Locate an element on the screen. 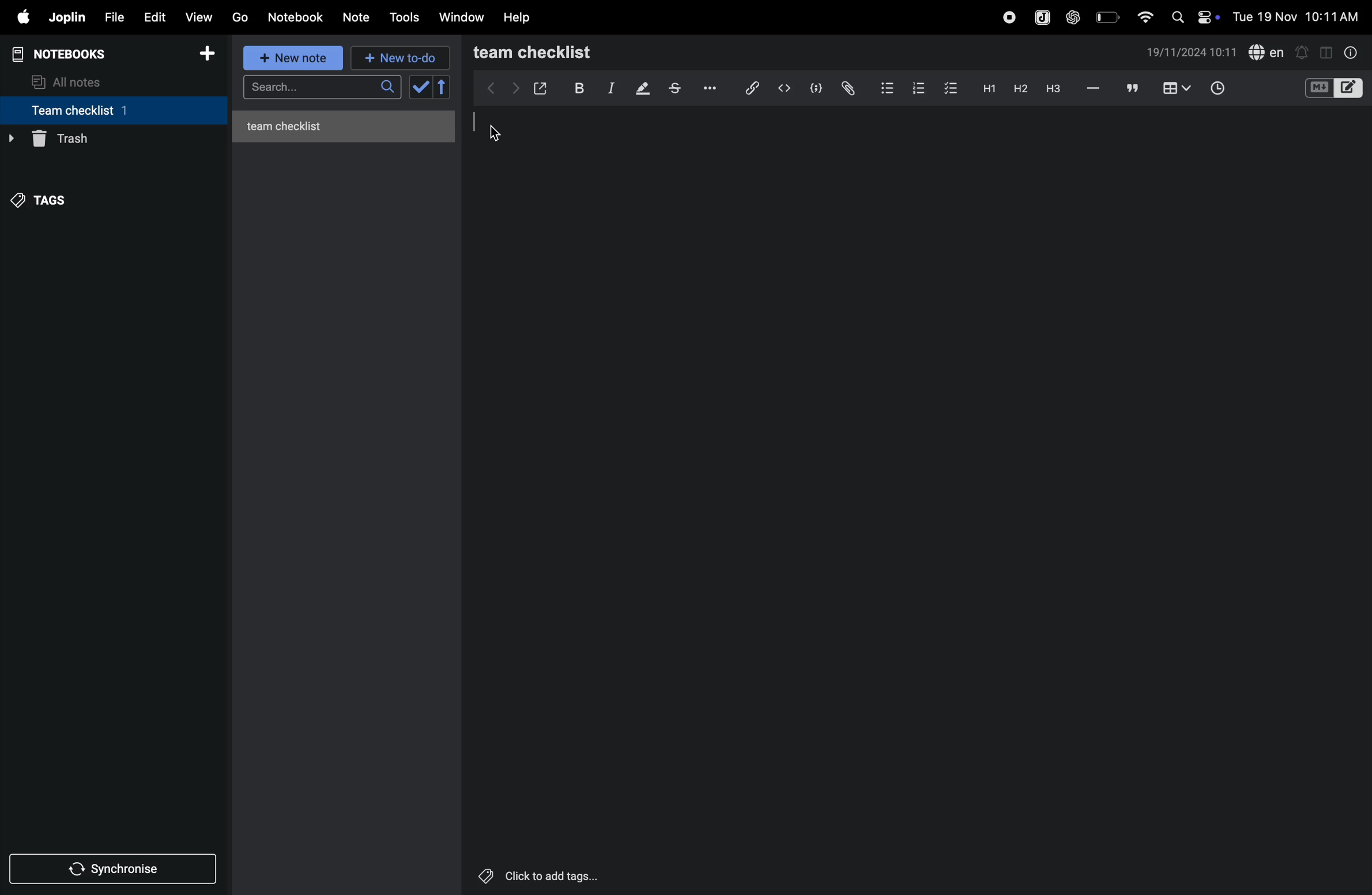 The height and width of the screenshot is (895, 1372). joplin is located at coordinates (1039, 16).